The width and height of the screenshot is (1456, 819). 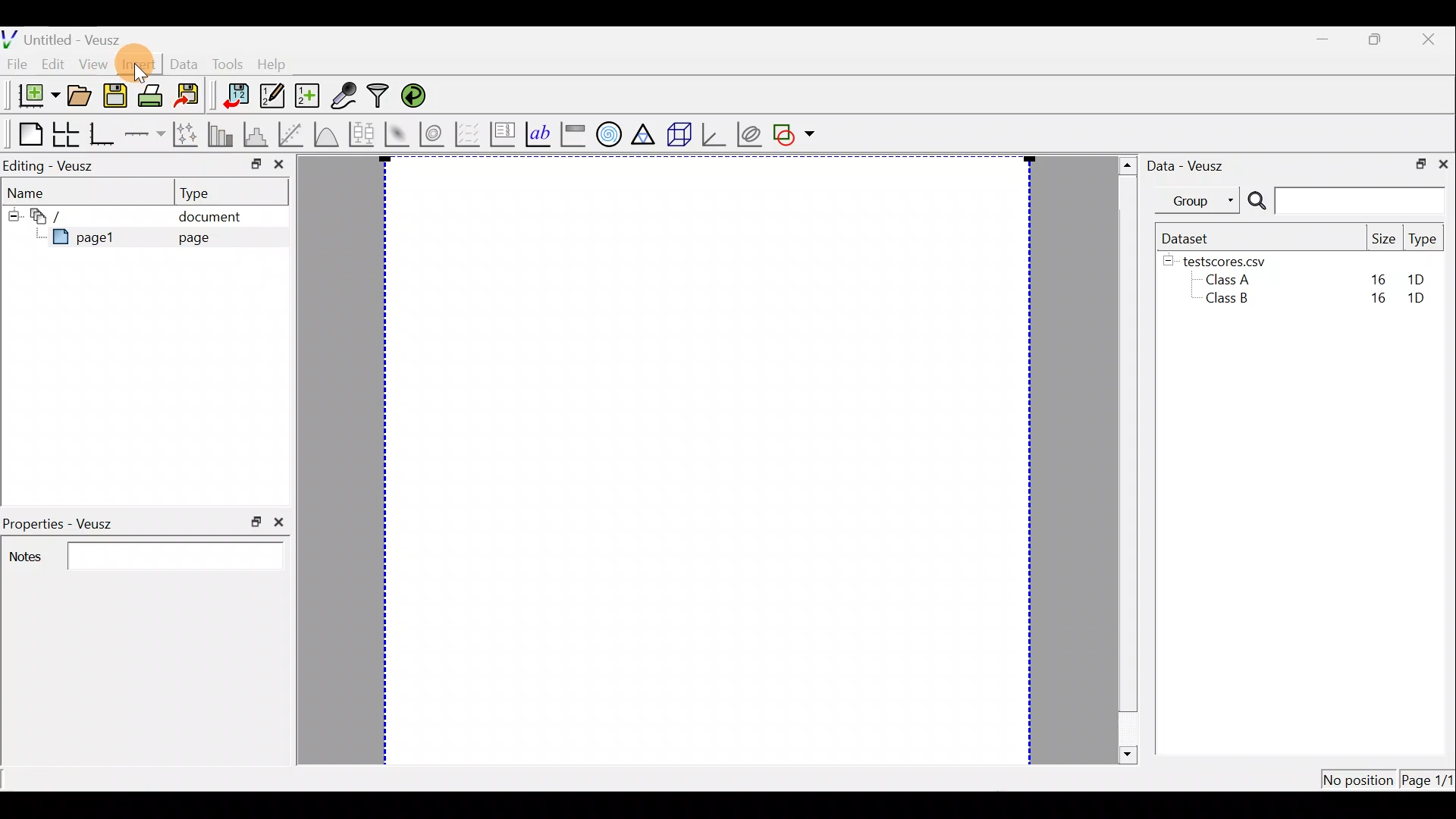 I want to click on Plot a vector field, so click(x=470, y=133).